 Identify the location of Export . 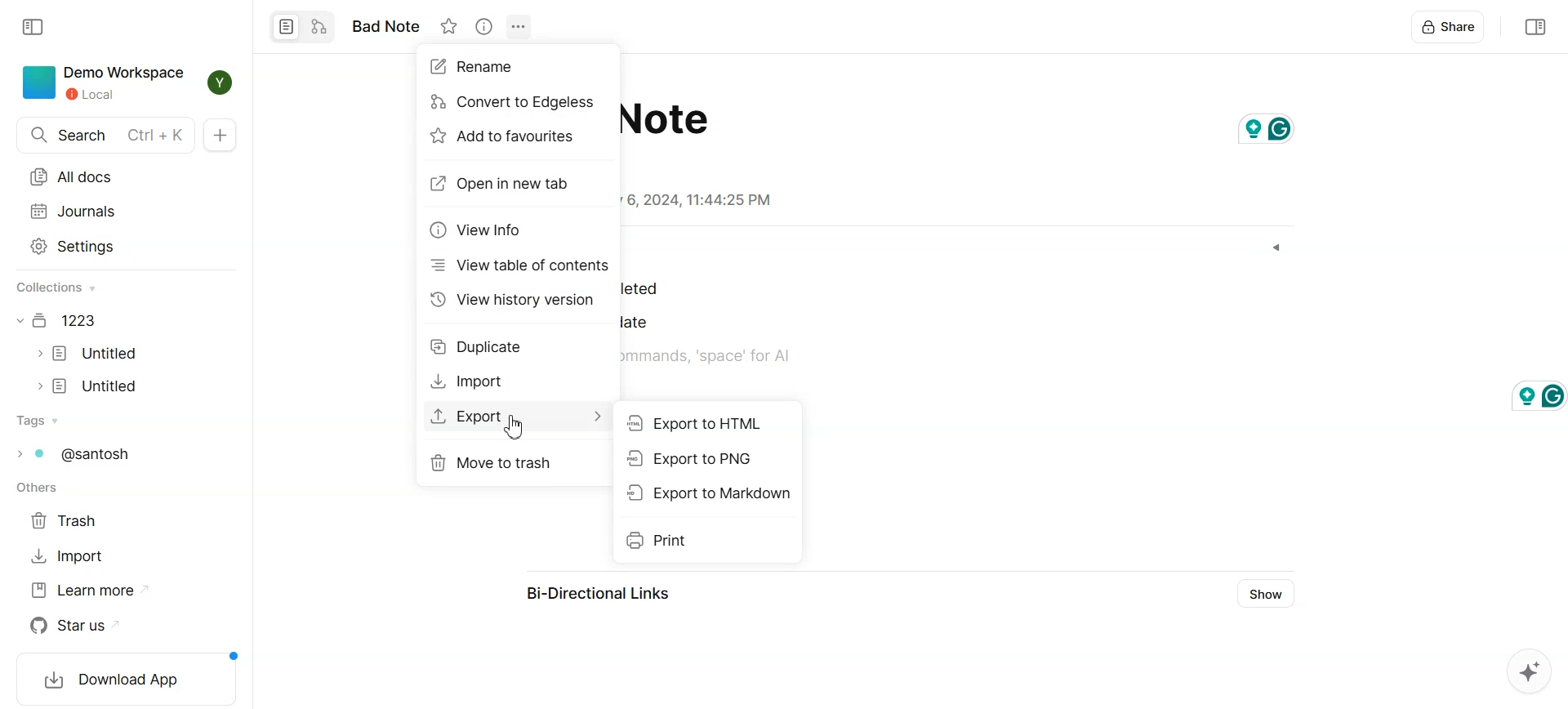
(518, 416).